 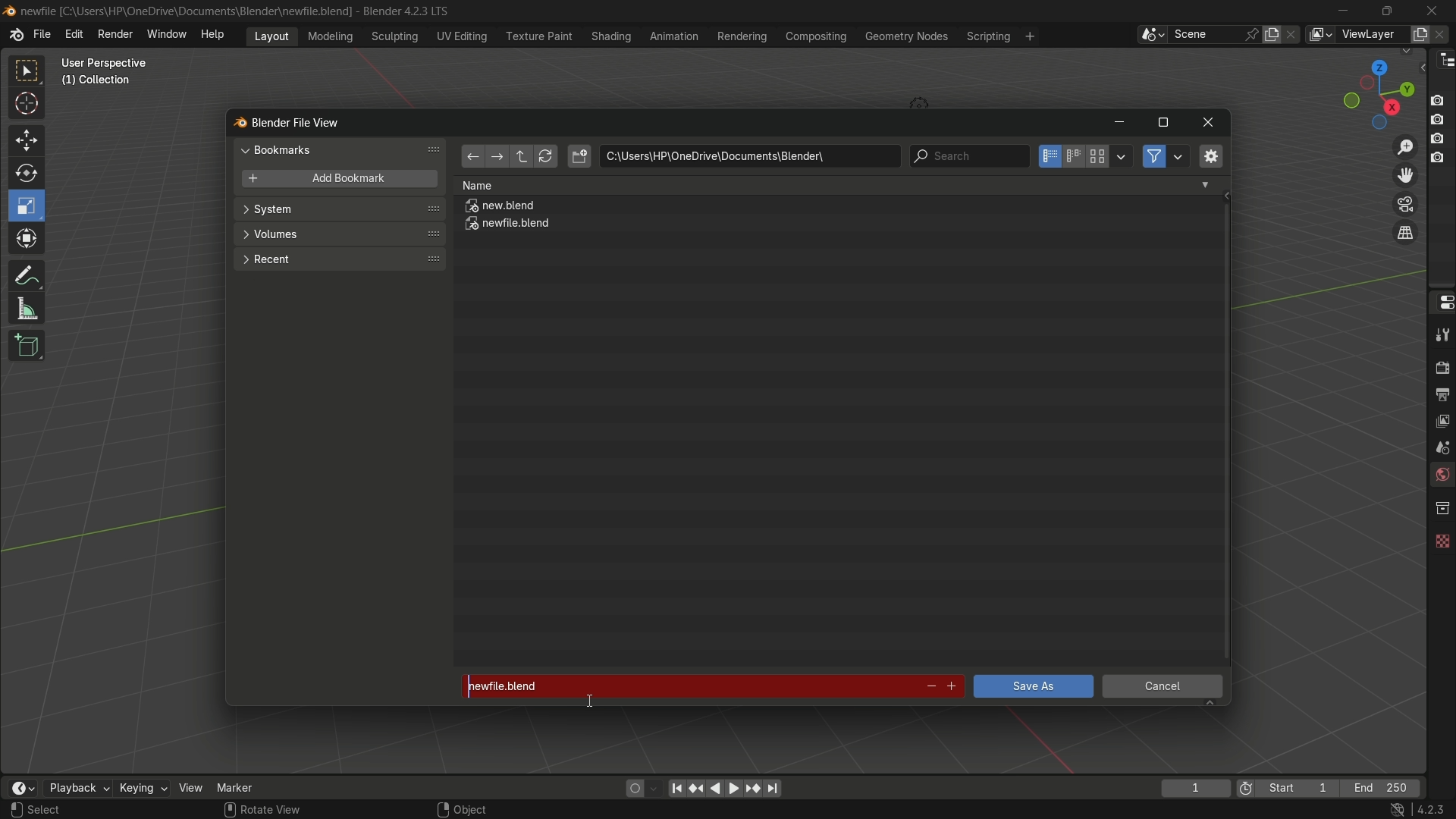 What do you see at coordinates (817, 36) in the screenshot?
I see `compositing menu` at bounding box center [817, 36].